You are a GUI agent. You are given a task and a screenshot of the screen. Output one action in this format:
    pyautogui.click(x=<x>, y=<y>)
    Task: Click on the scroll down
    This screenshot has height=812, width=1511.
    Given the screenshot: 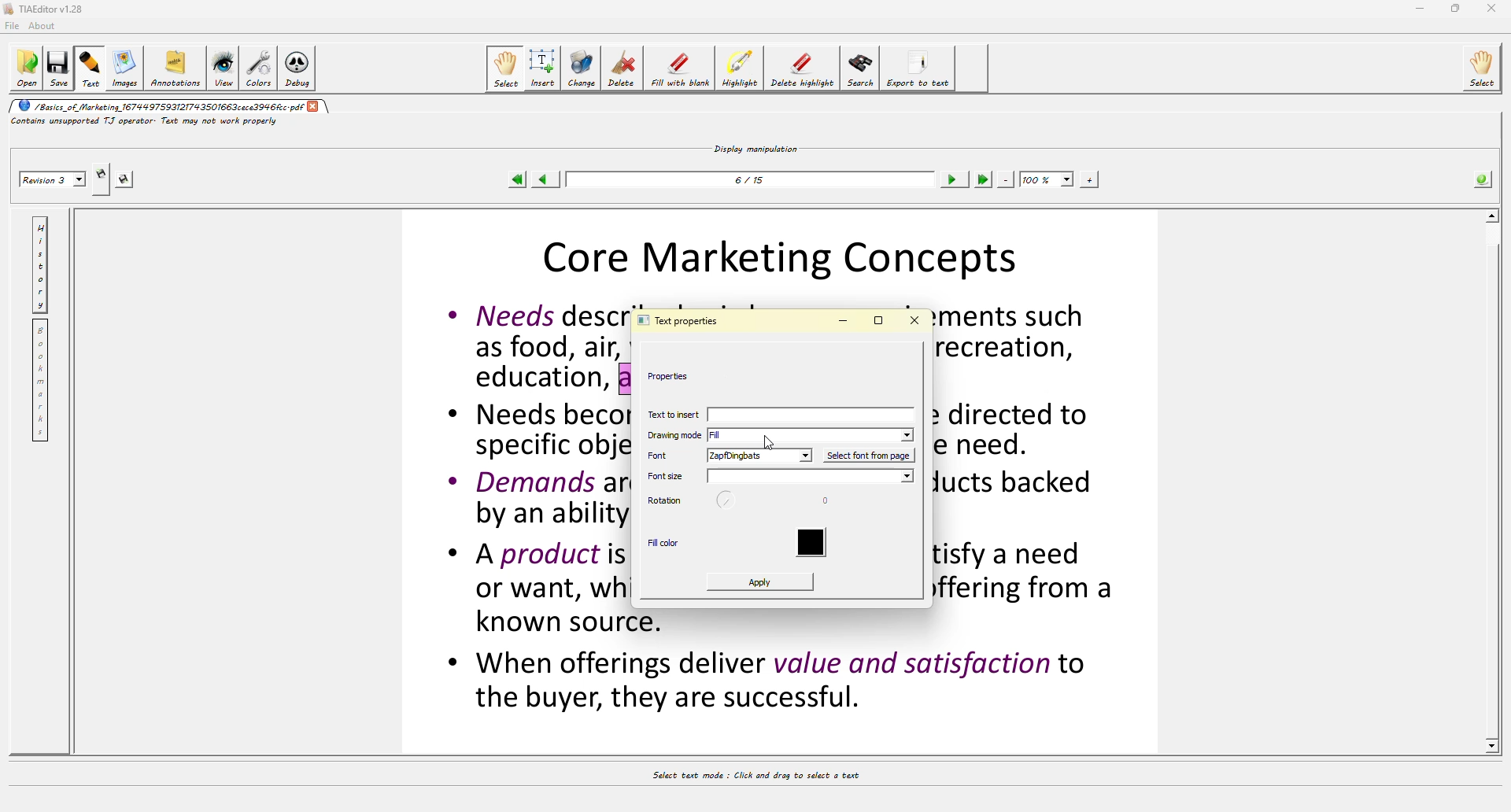 What is the action you would take?
    pyautogui.click(x=1494, y=746)
    